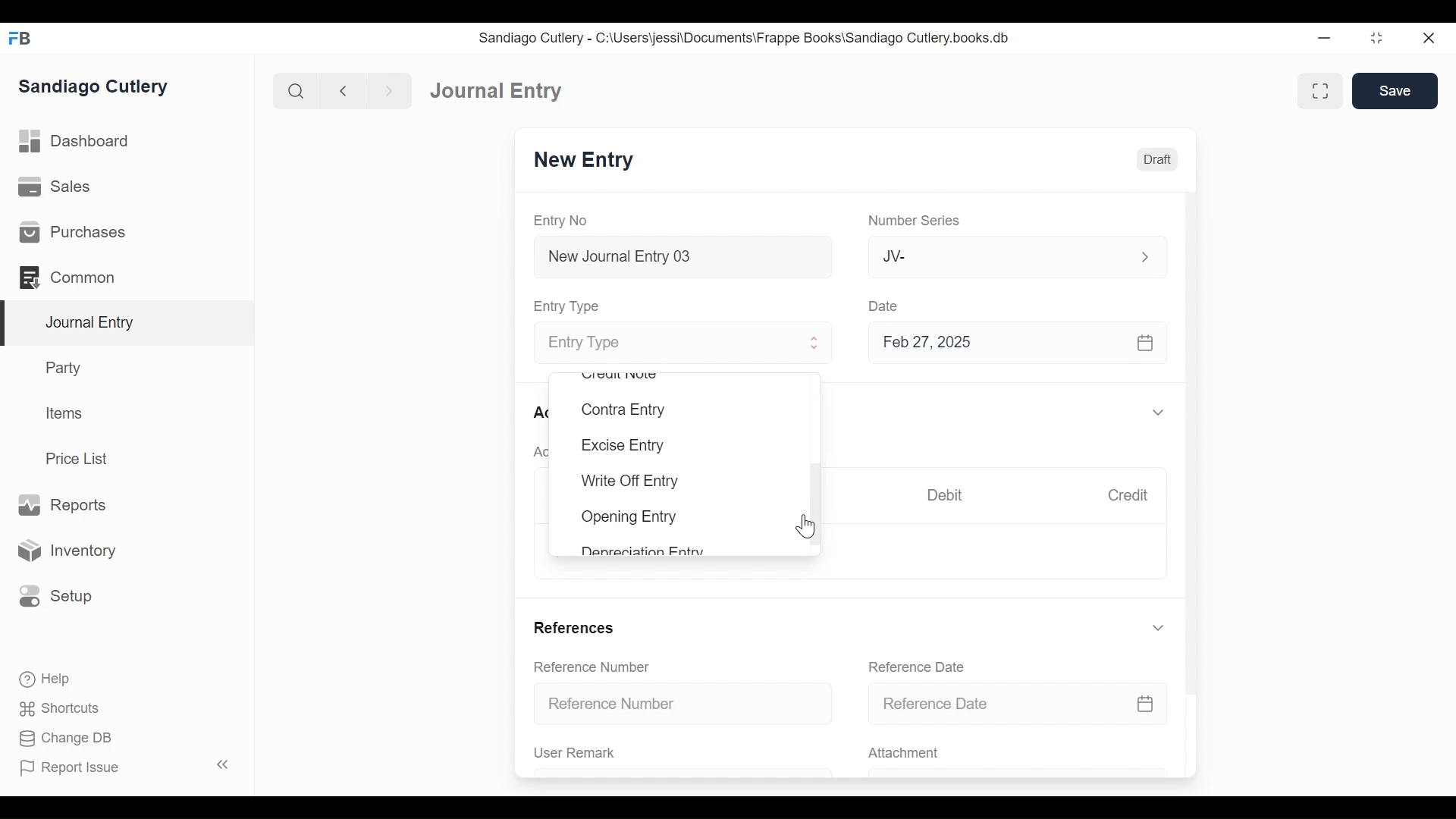  Describe the element at coordinates (1376, 37) in the screenshot. I see `Restore` at that location.